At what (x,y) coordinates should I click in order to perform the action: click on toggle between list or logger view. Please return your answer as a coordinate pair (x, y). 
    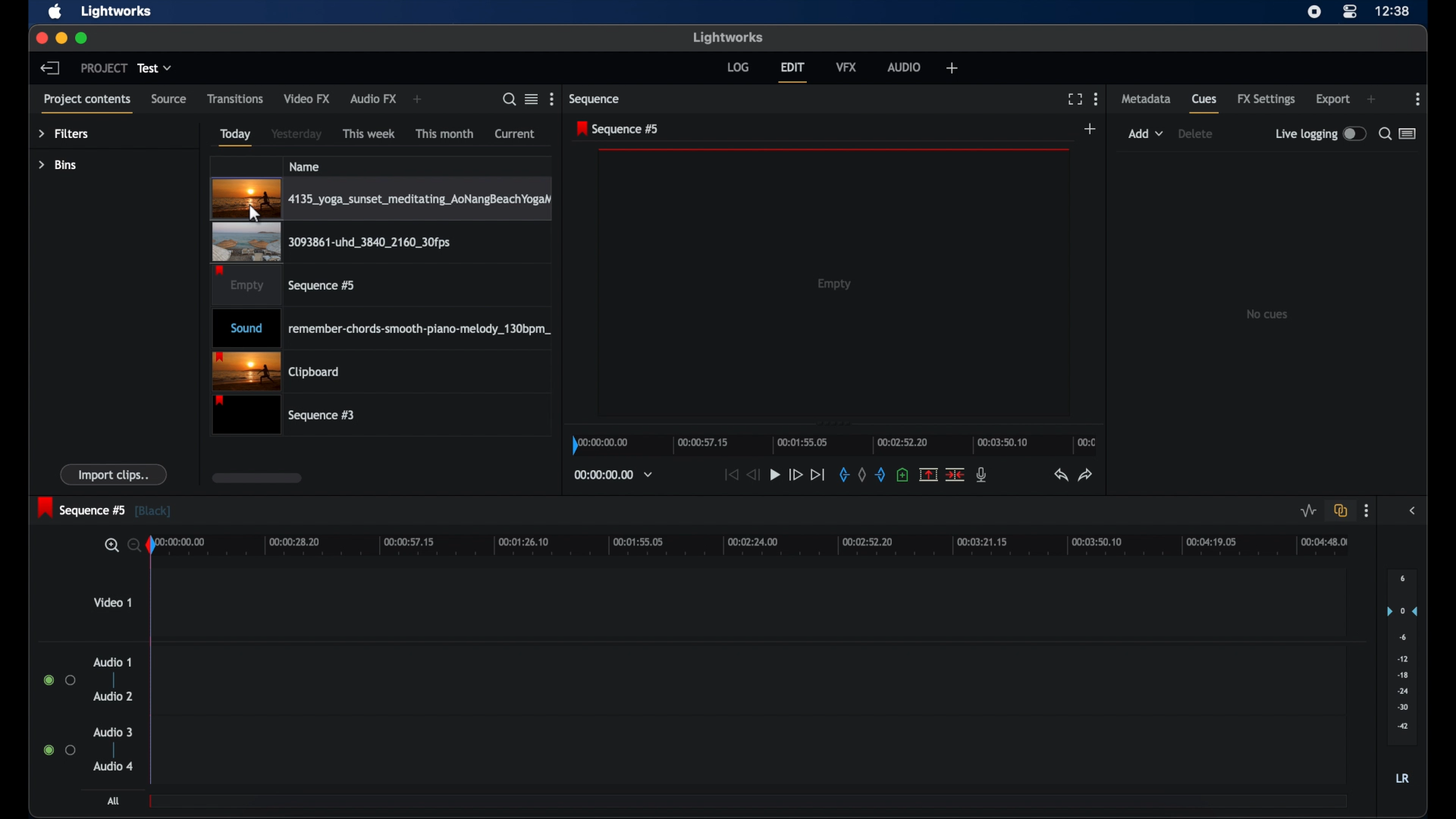
    Looking at the image, I should click on (1407, 133).